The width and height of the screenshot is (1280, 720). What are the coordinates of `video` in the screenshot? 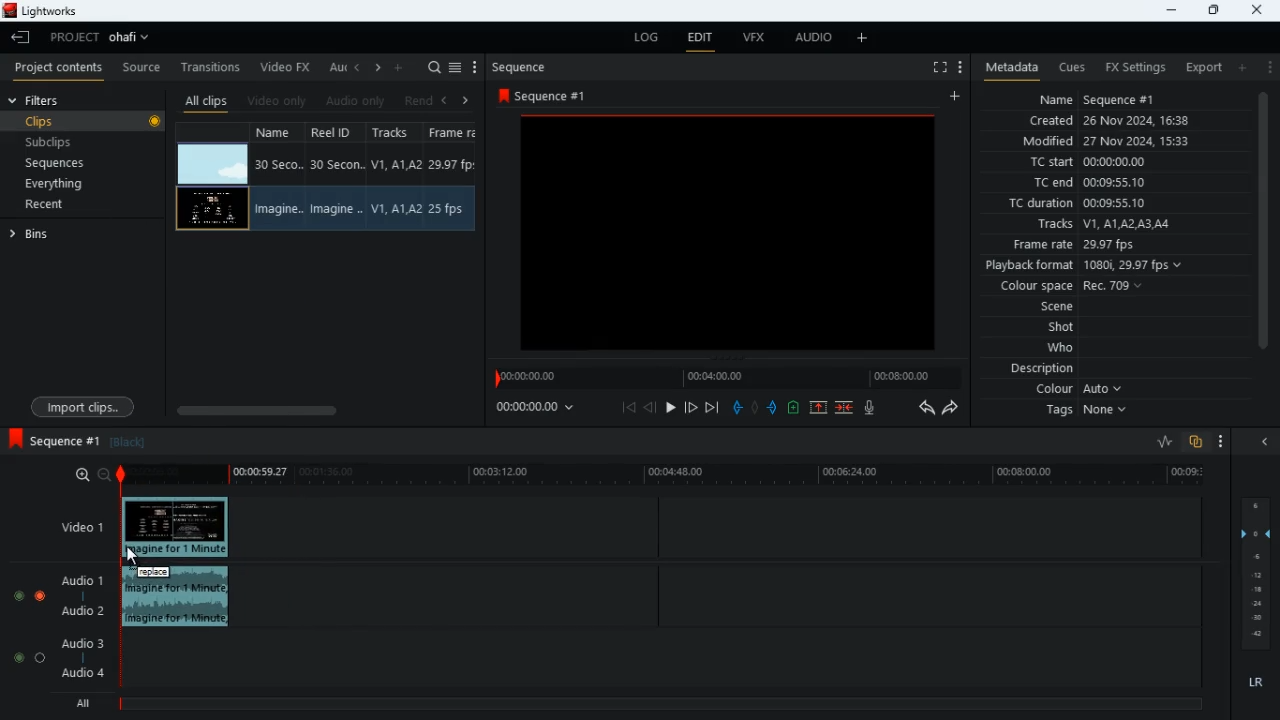 It's located at (213, 162).